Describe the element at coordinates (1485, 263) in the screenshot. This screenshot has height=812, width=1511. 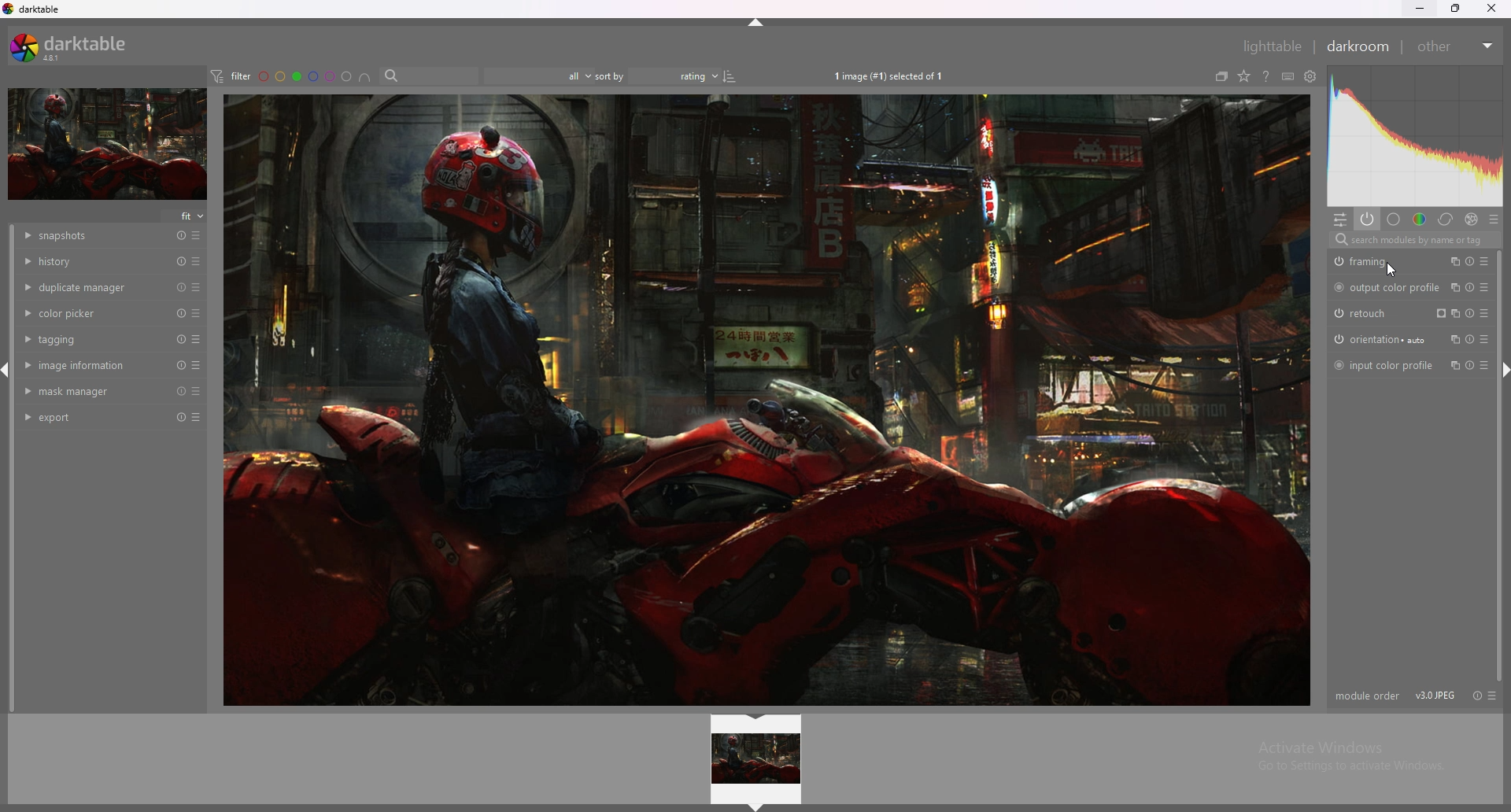
I see `presets` at that location.